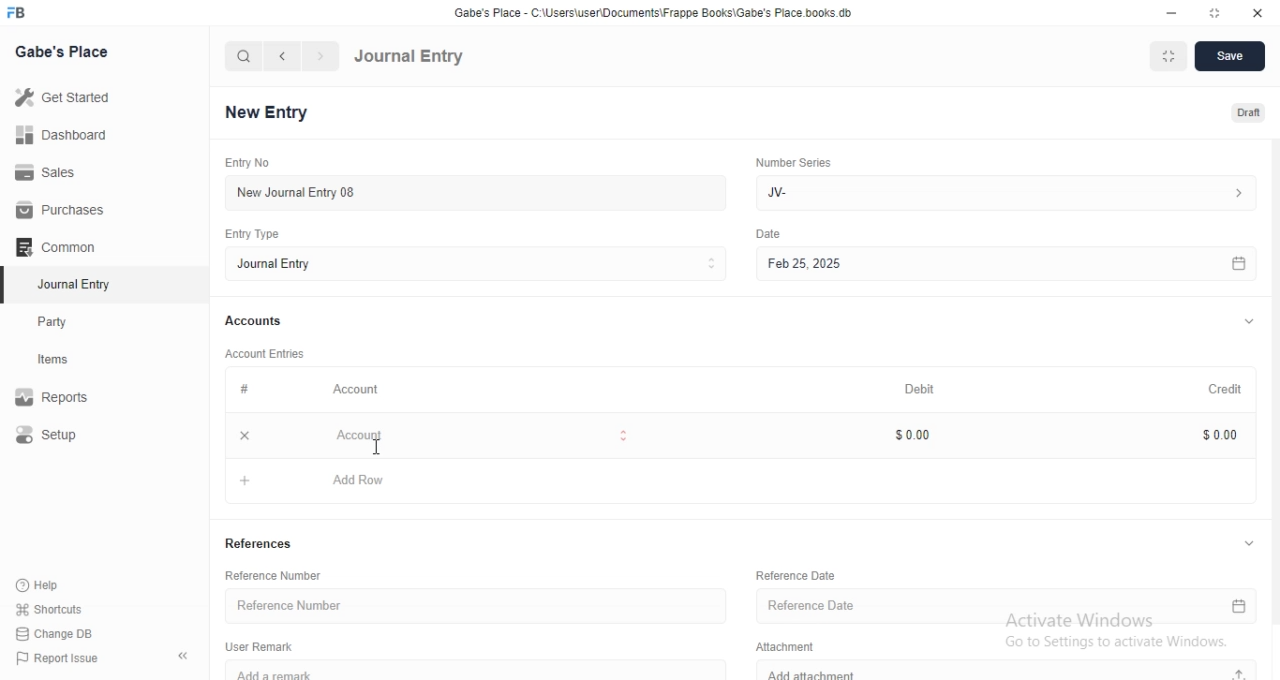 The width and height of the screenshot is (1280, 680). What do you see at coordinates (261, 545) in the screenshot?
I see `References` at bounding box center [261, 545].